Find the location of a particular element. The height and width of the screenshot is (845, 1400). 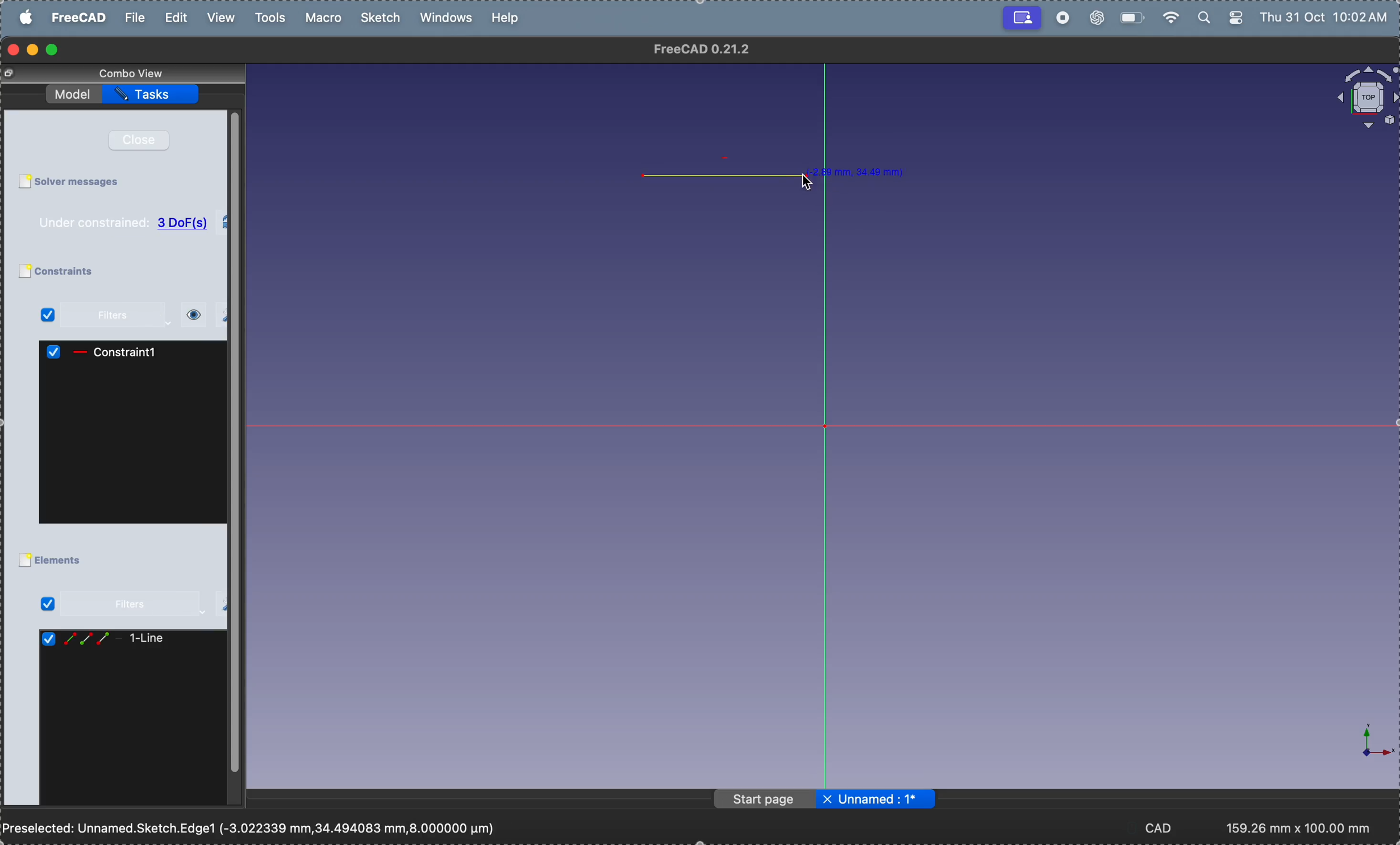

close file is located at coordinates (827, 800).